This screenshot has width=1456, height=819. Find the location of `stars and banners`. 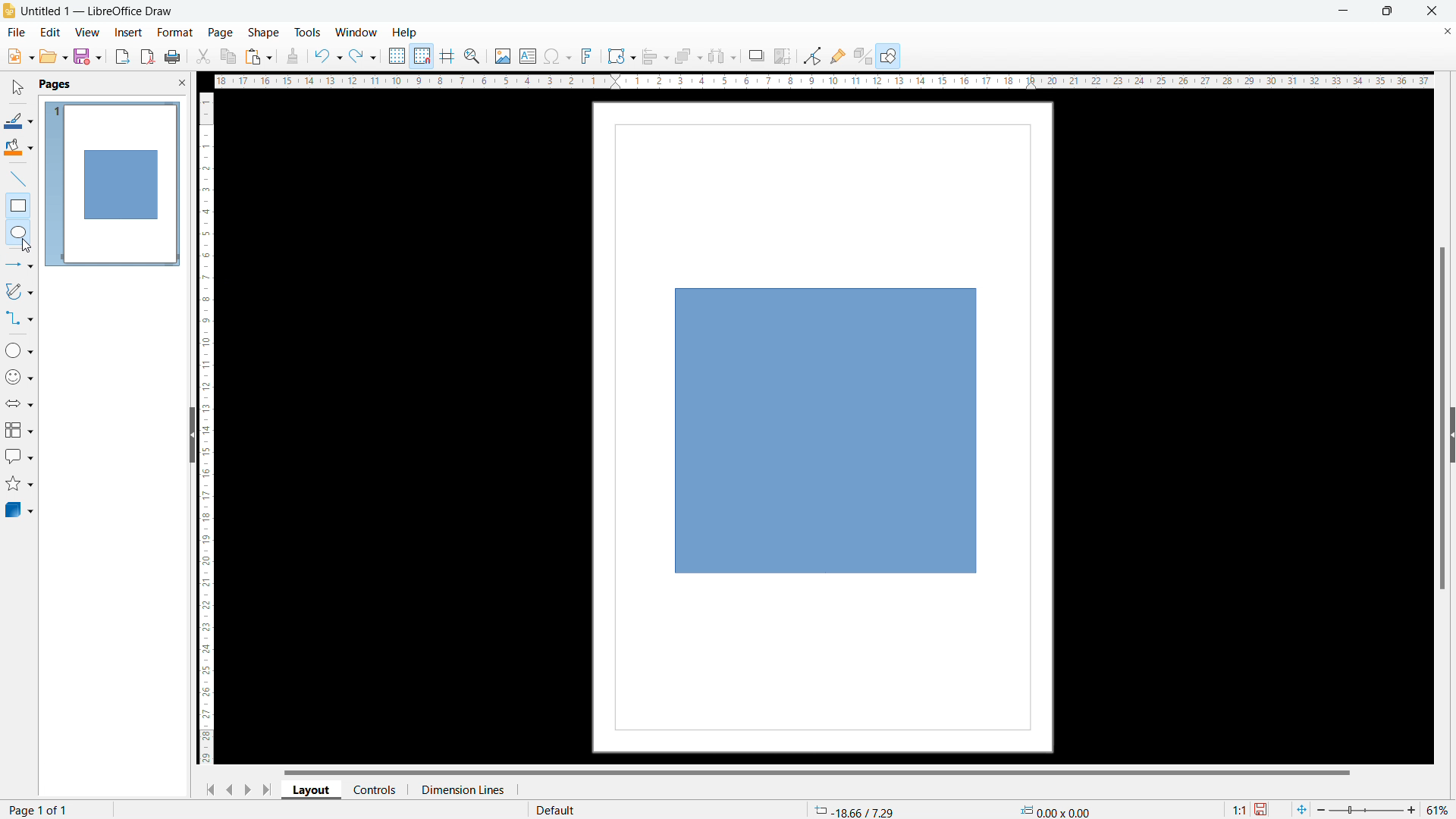

stars and banners is located at coordinates (18, 485).